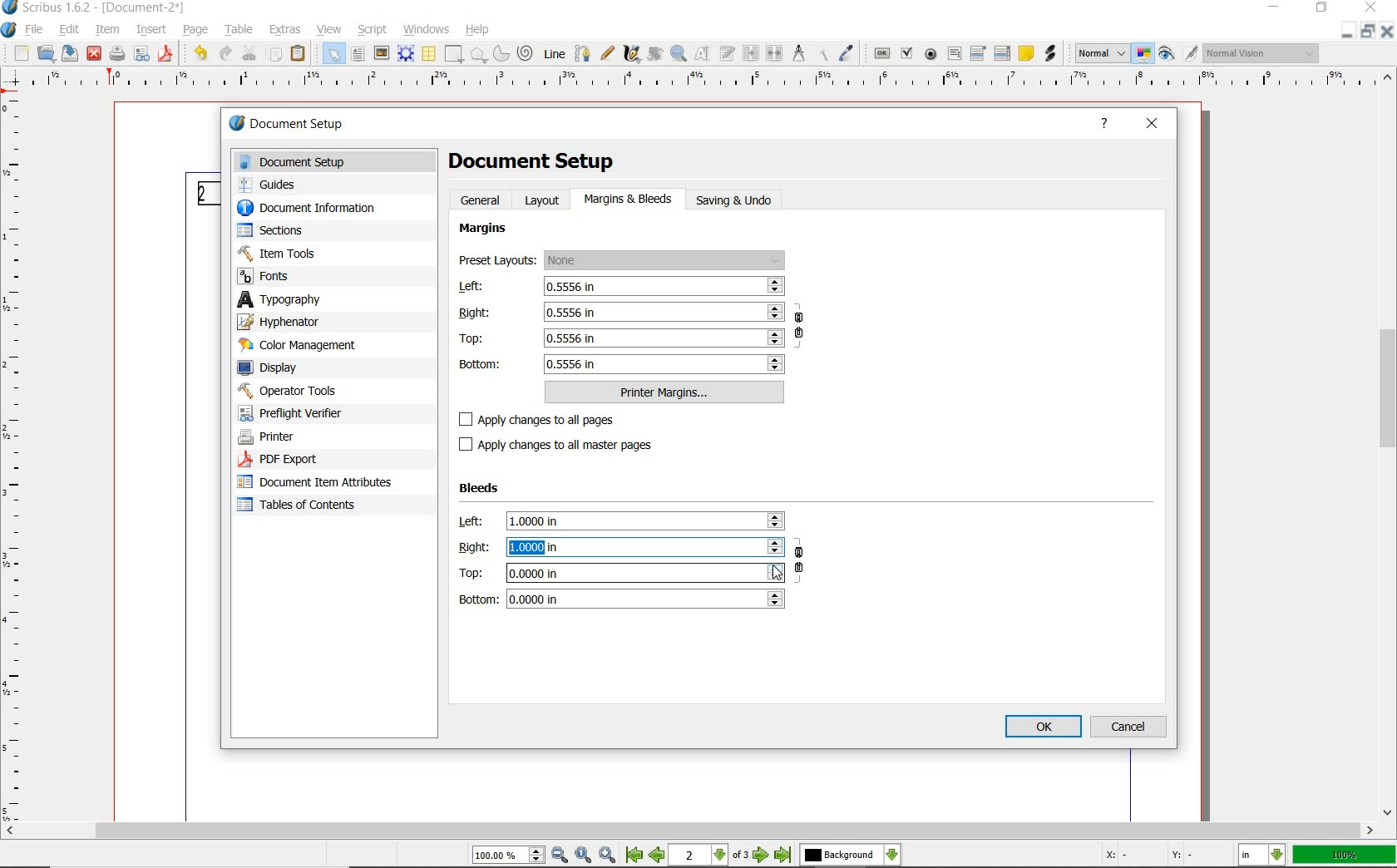 Image resolution: width=1397 pixels, height=868 pixels. Describe the element at coordinates (679, 55) in the screenshot. I see `zoom in or zoom out` at that location.